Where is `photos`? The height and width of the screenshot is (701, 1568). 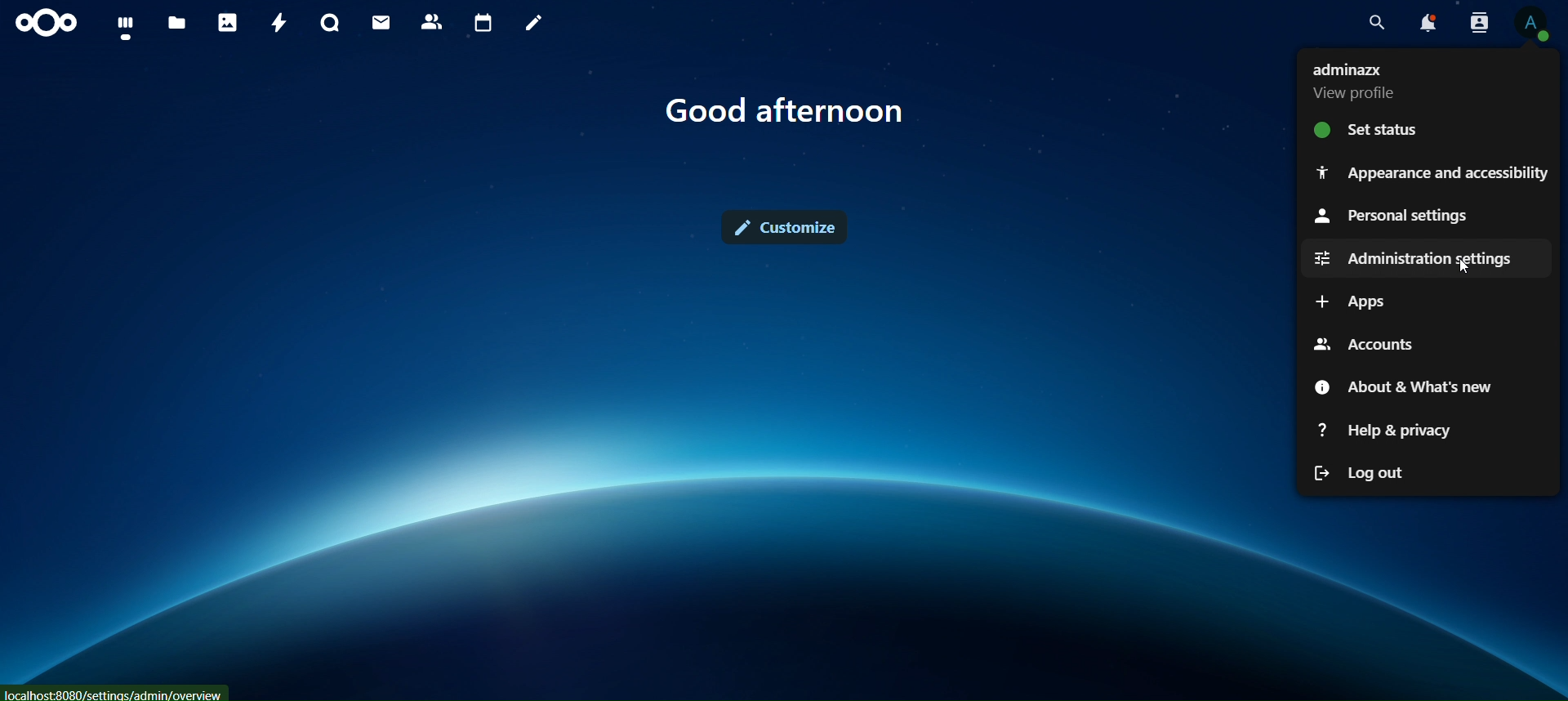
photos is located at coordinates (229, 23).